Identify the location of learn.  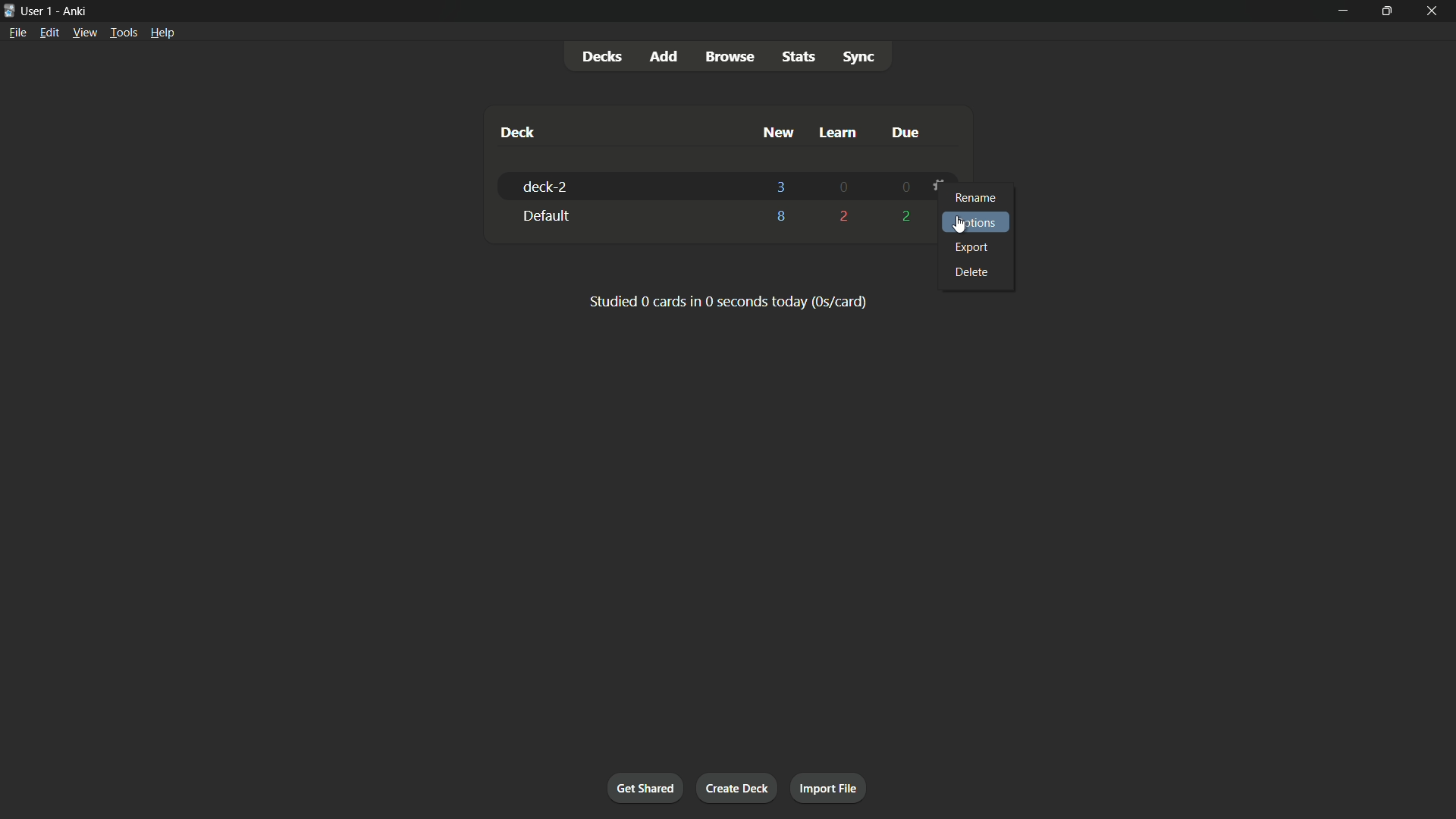
(836, 133).